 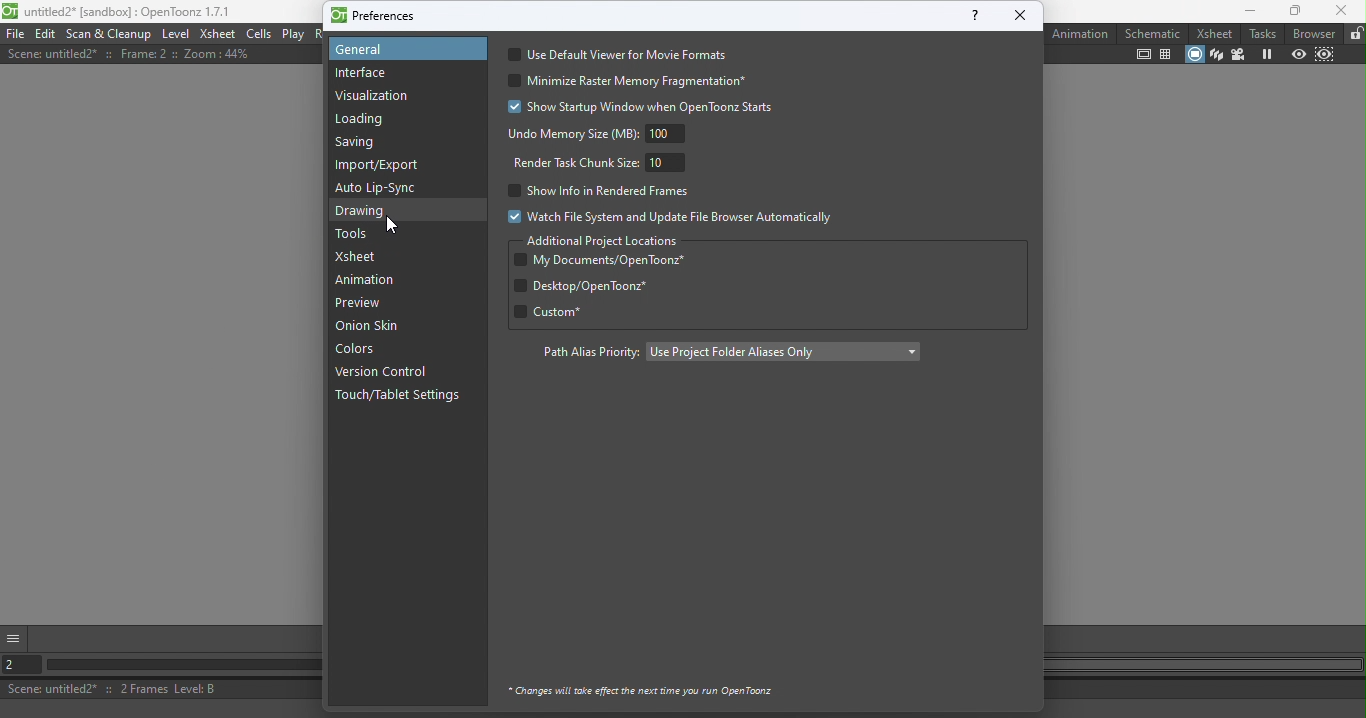 I want to click on Set the current frame, so click(x=17, y=665).